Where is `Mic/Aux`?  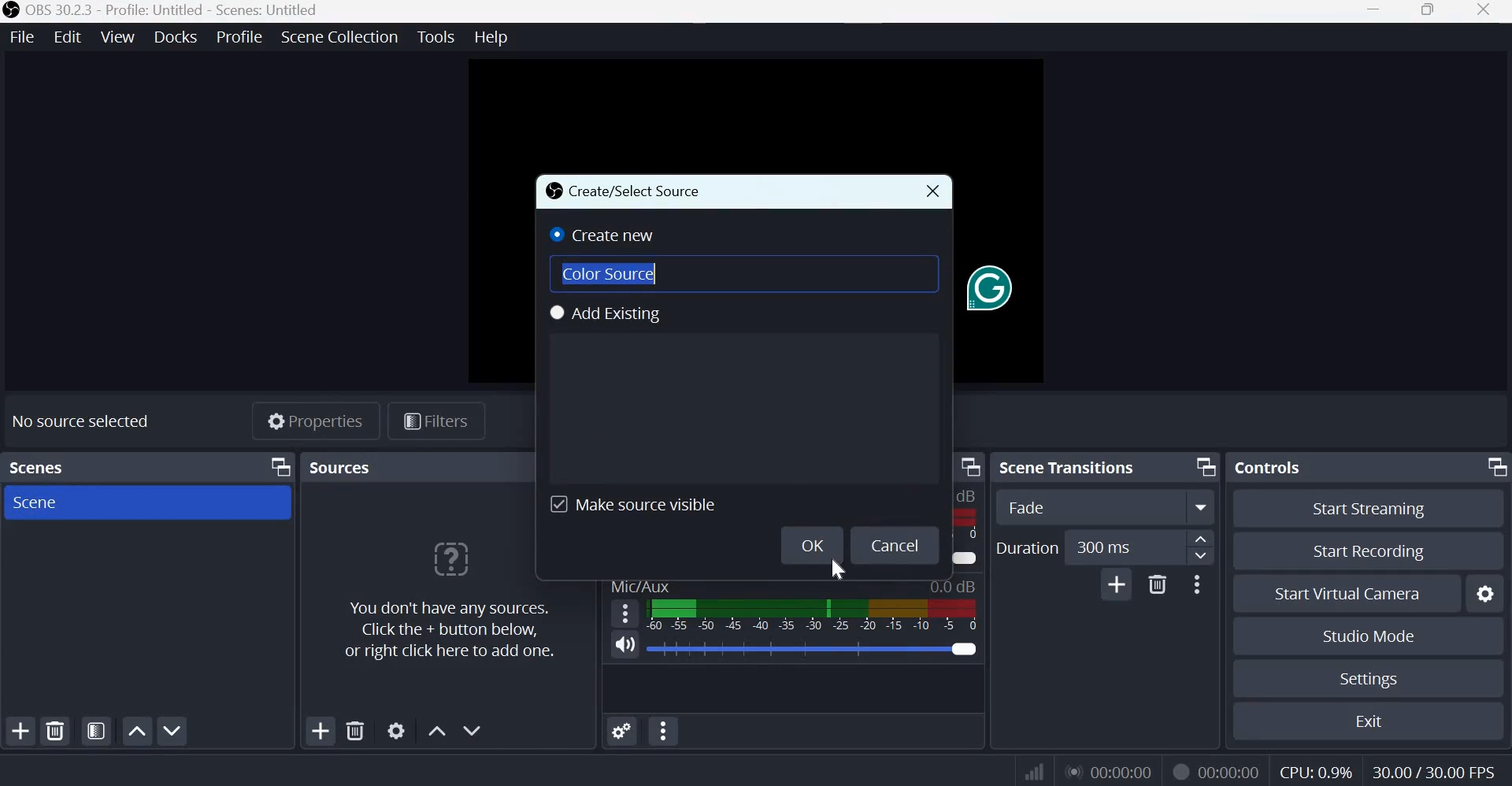 Mic/Aux is located at coordinates (640, 585).